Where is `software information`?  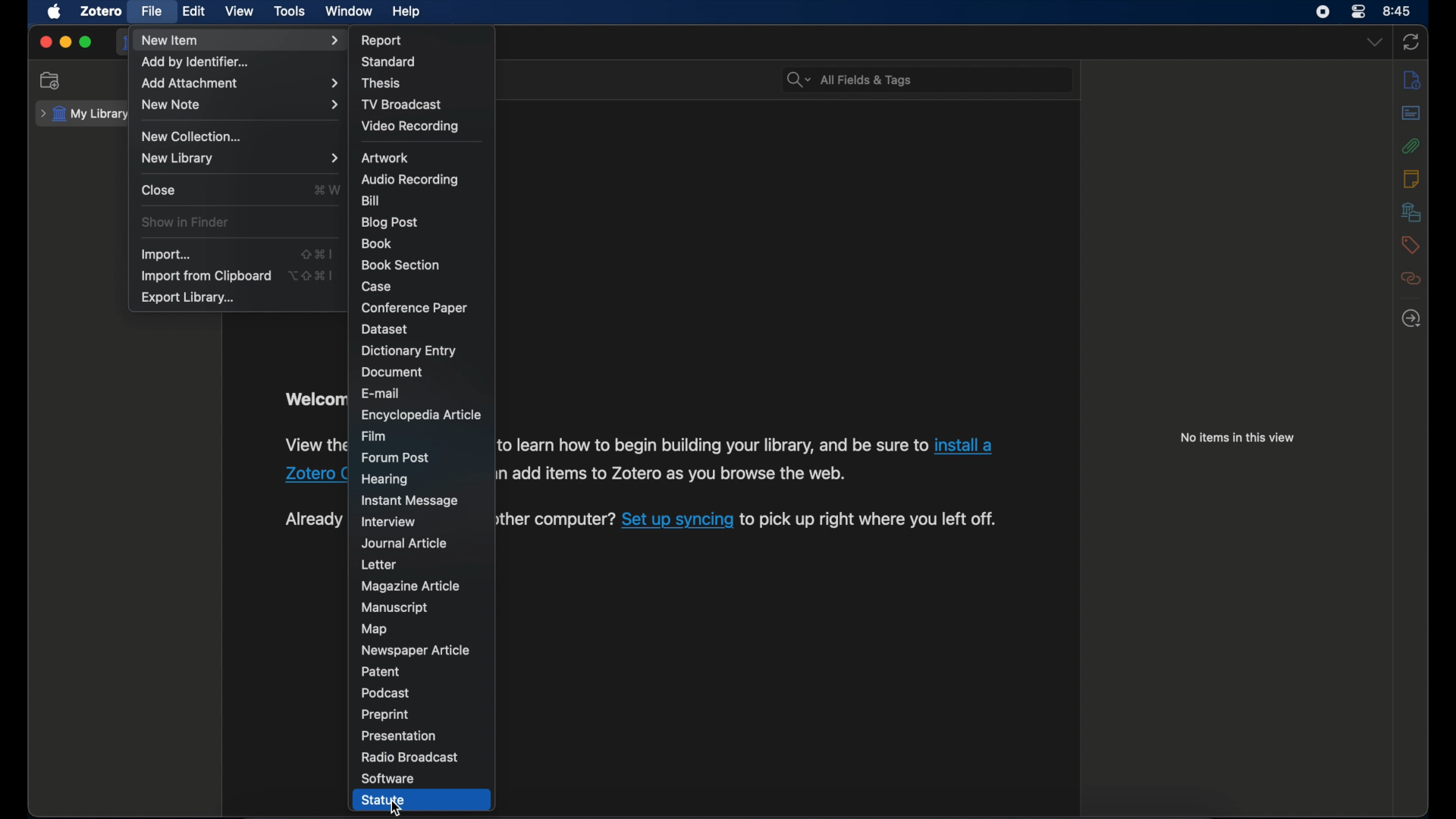
software information is located at coordinates (314, 444).